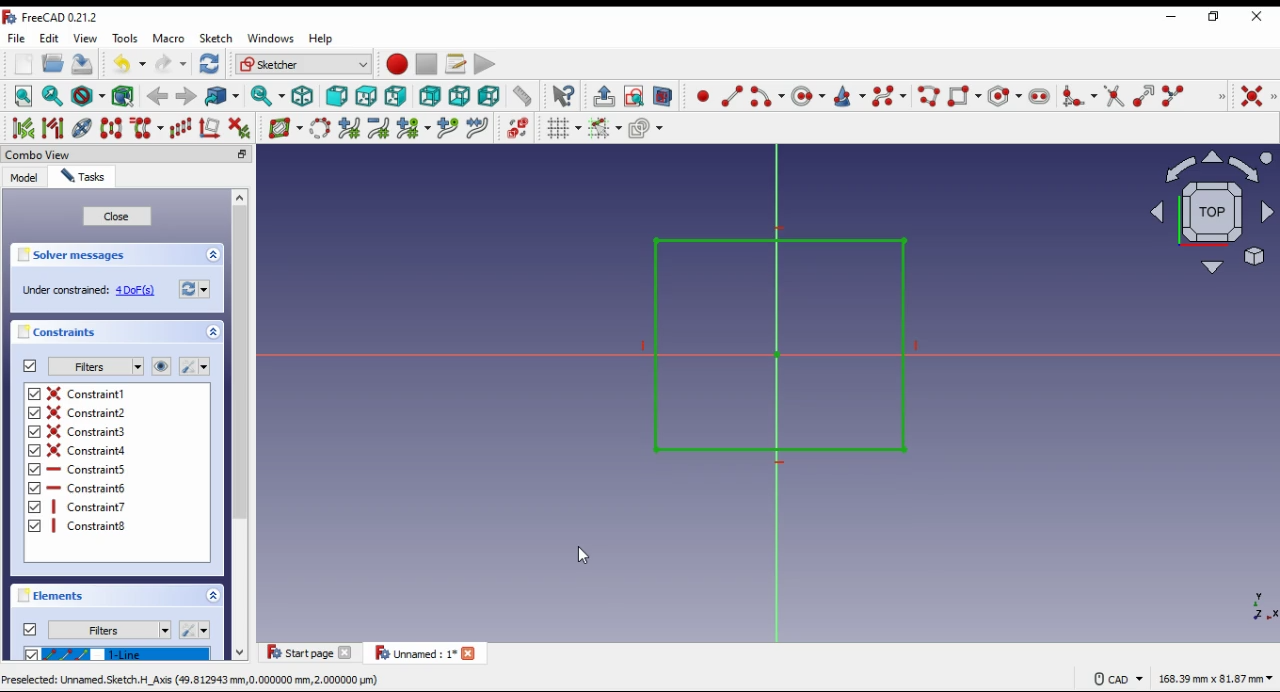 The height and width of the screenshot is (692, 1280). I want to click on macro, so click(169, 38).